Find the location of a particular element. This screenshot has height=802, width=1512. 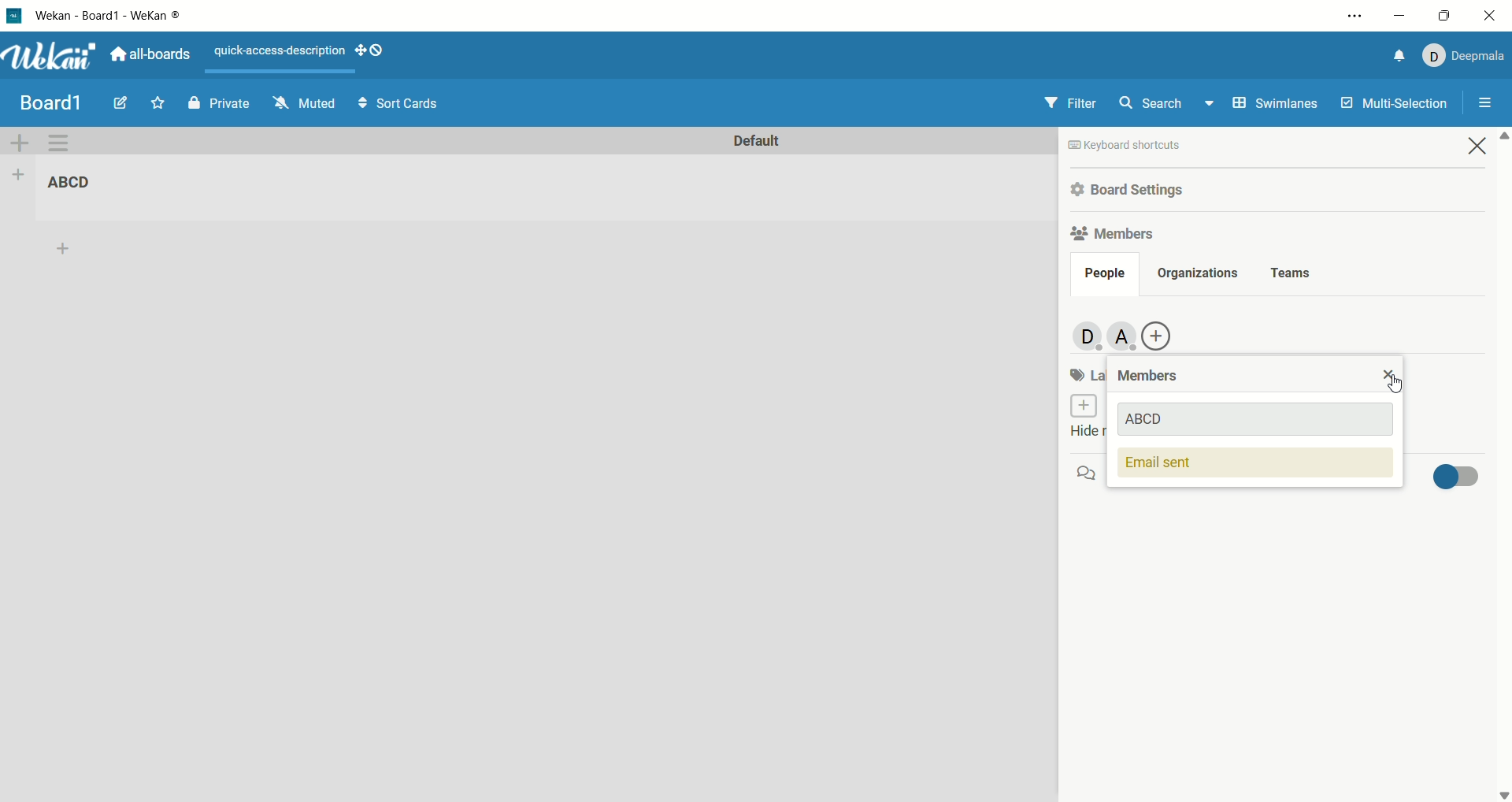

filter is located at coordinates (1069, 102).